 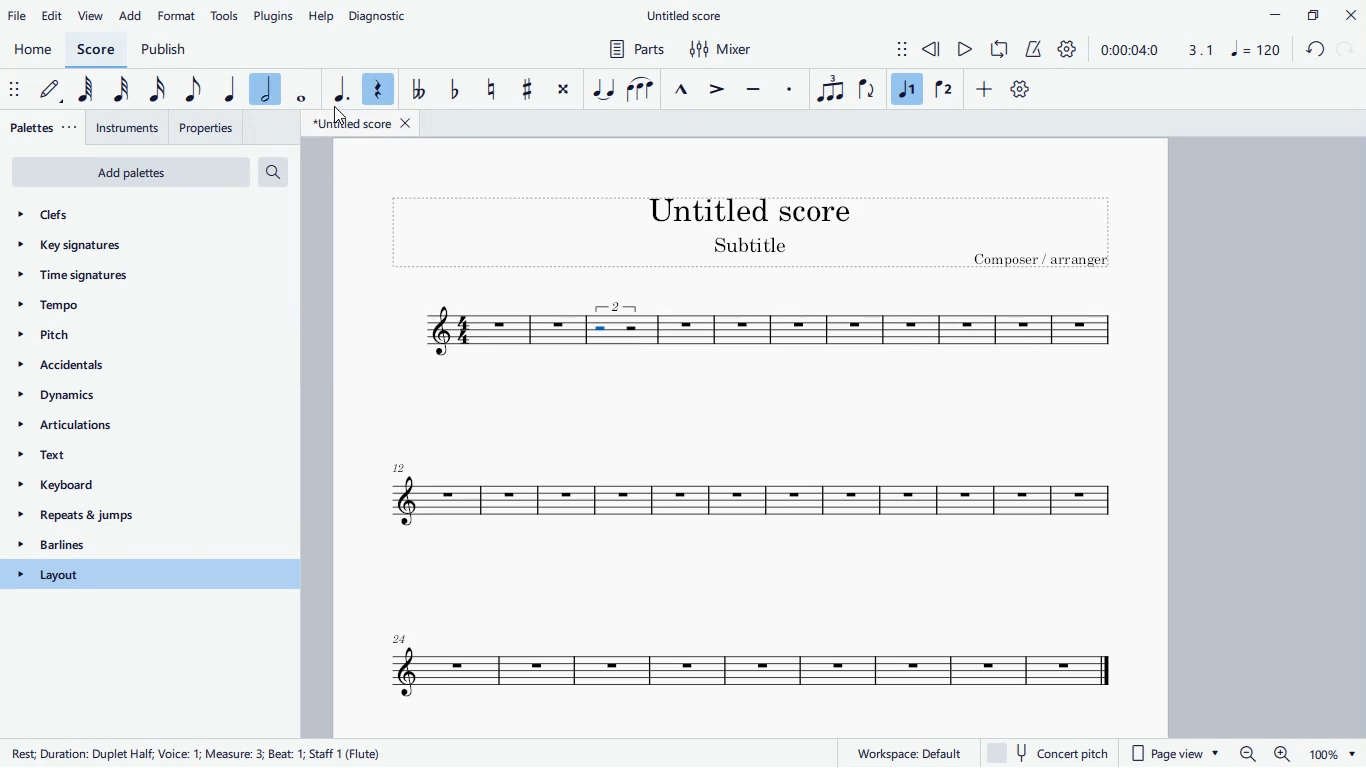 I want to click on barlines, so click(x=131, y=547).